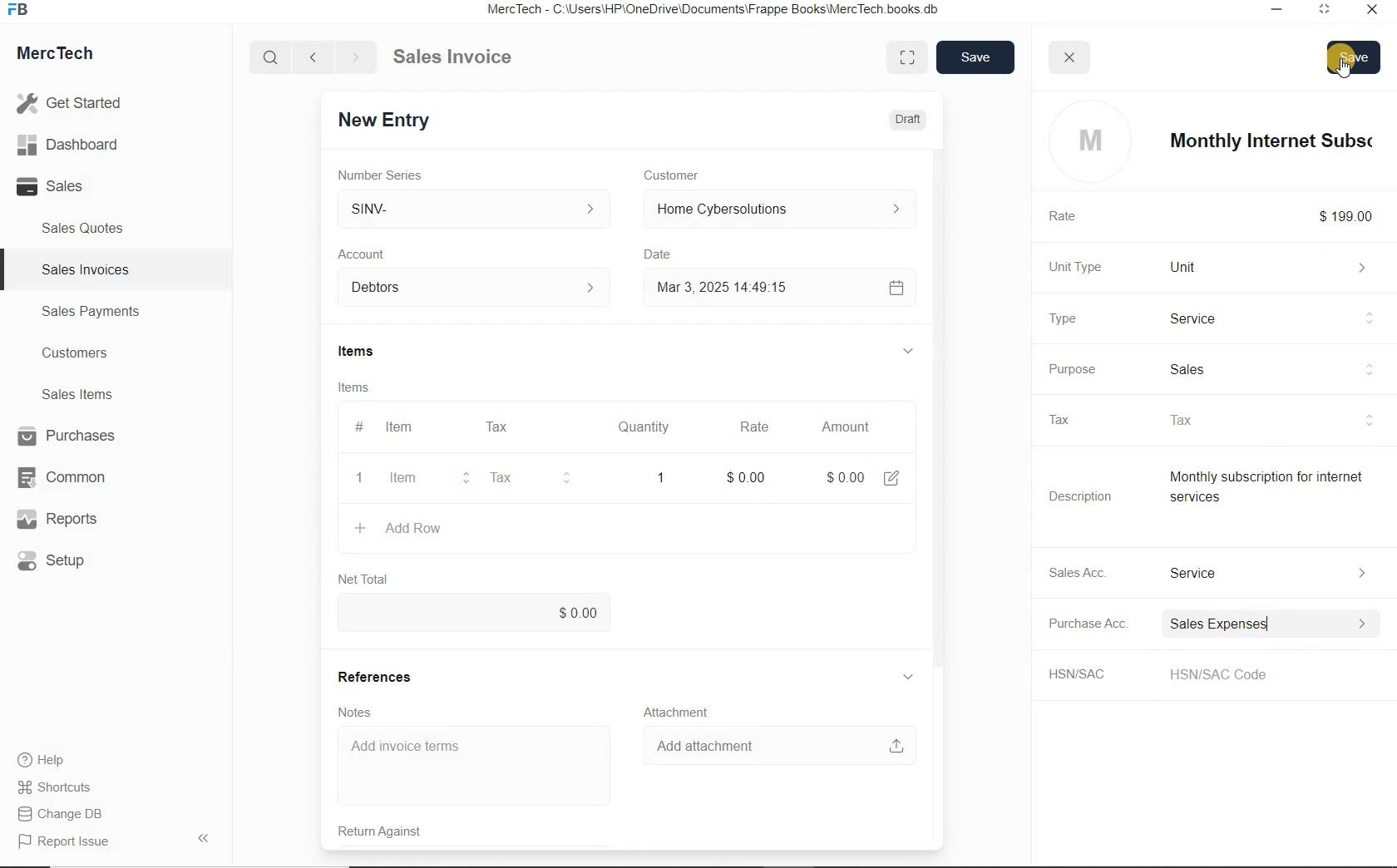  What do you see at coordinates (674, 710) in the screenshot?
I see `Attachment` at bounding box center [674, 710].